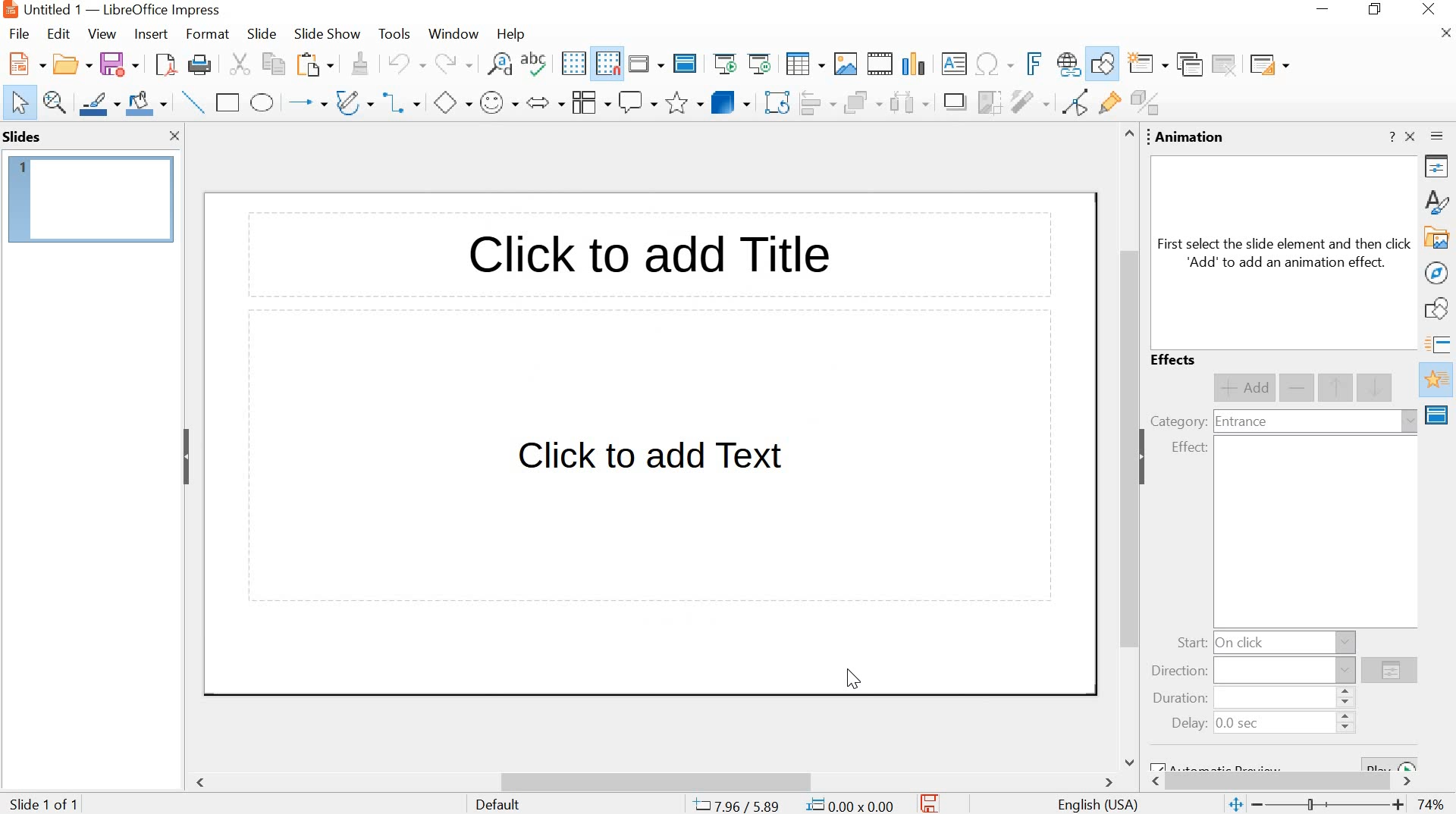  What do you see at coordinates (645, 258) in the screenshot?
I see `click to add title` at bounding box center [645, 258].